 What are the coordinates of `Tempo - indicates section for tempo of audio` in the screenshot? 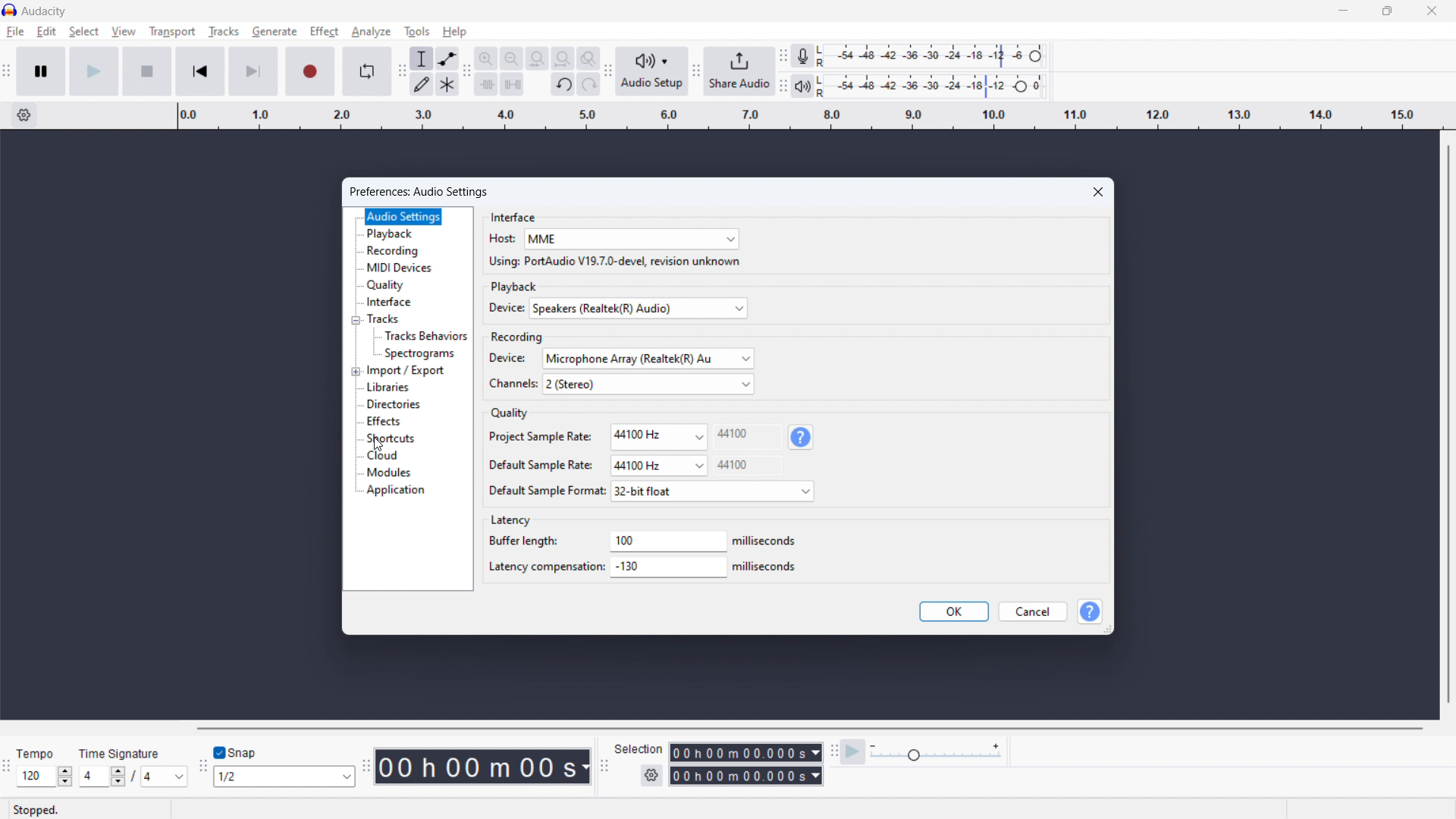 It's located at (35, 753).